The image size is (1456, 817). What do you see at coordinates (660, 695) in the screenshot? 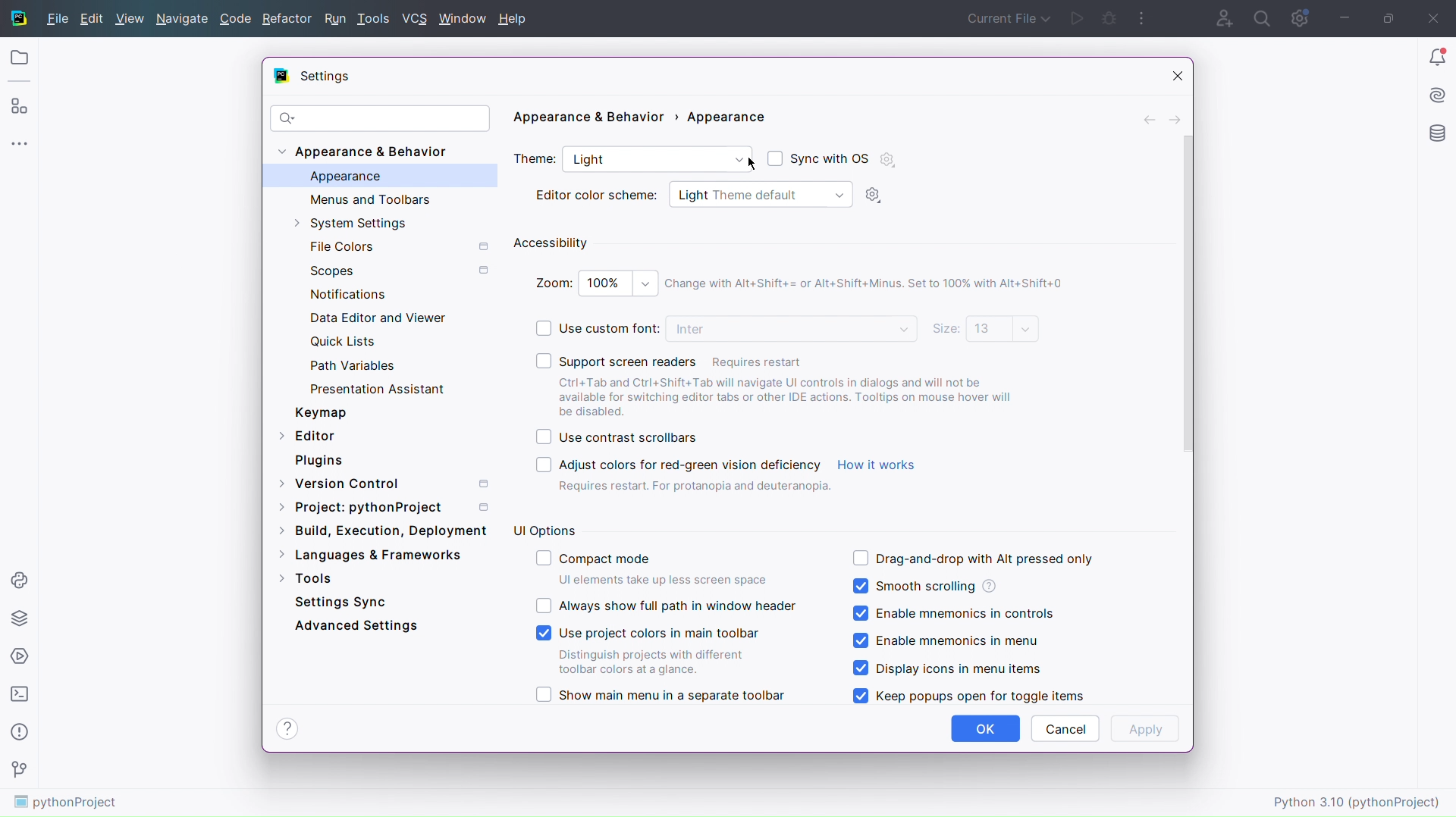
I see `Show main menu in a separate toolbar` at bounding box center [660, 695].